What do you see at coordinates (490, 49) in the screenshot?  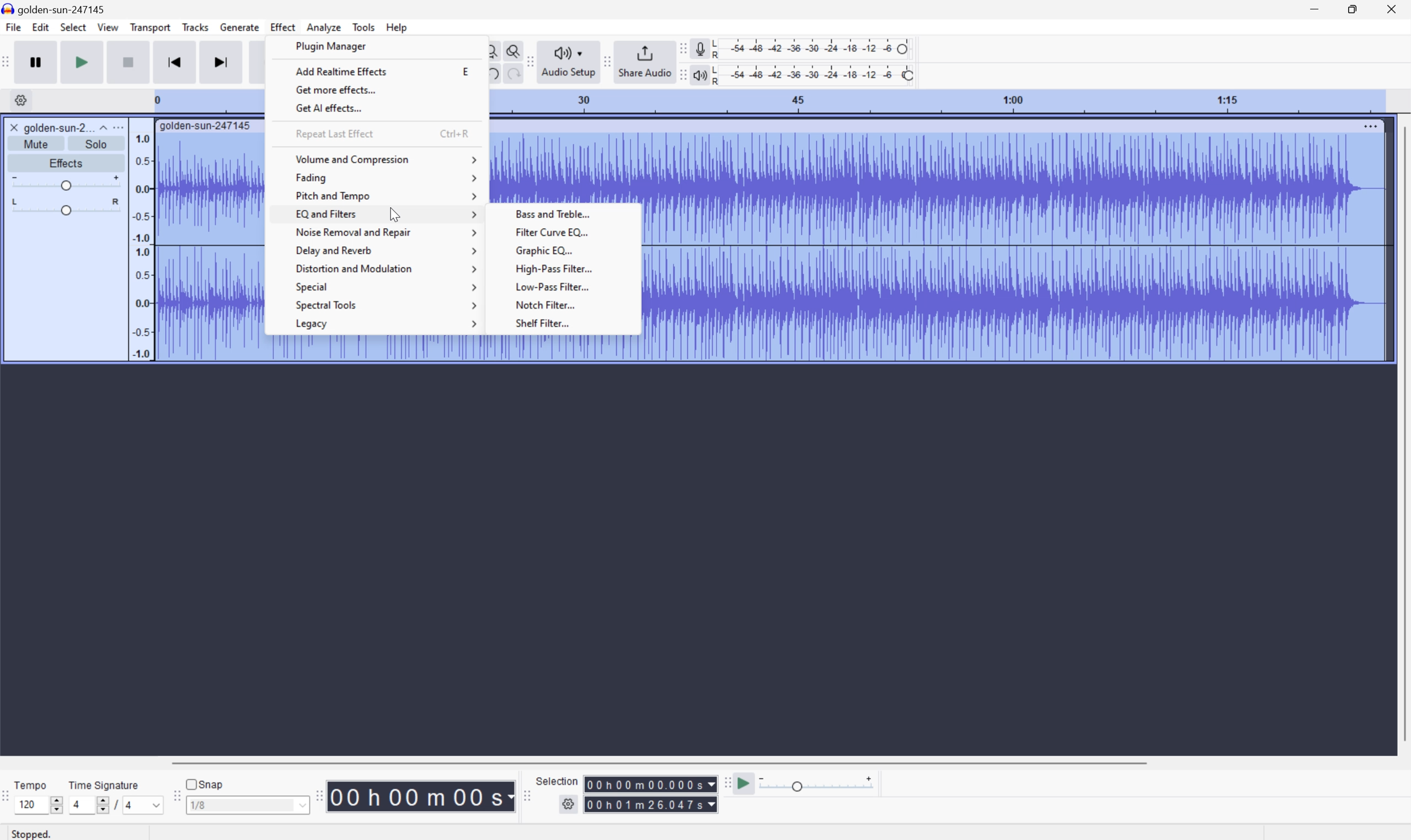 I see `Fit project to width` at bounding box center [490, 49].